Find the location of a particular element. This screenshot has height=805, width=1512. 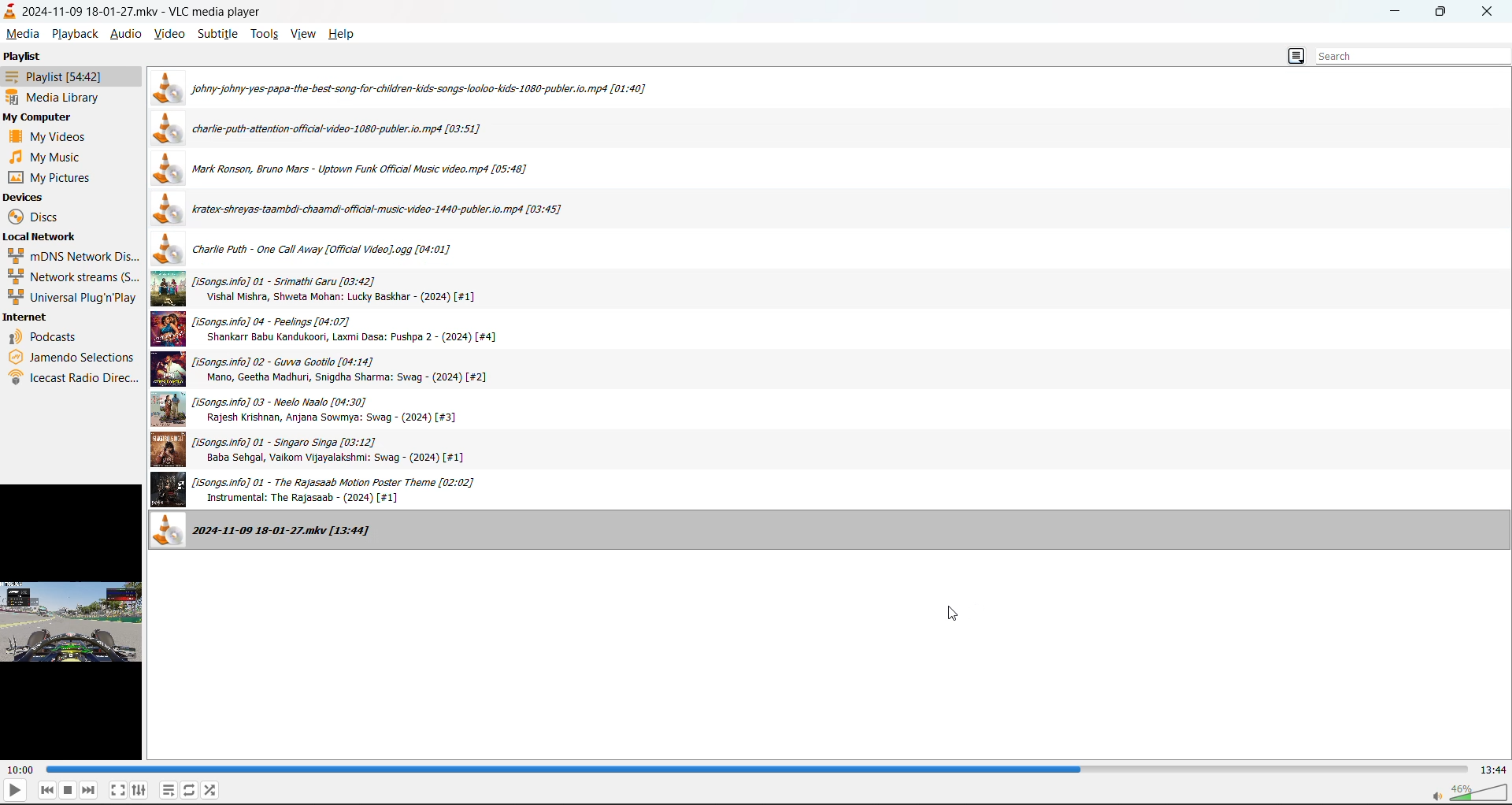

my computer is located at coordinates (37, 117).